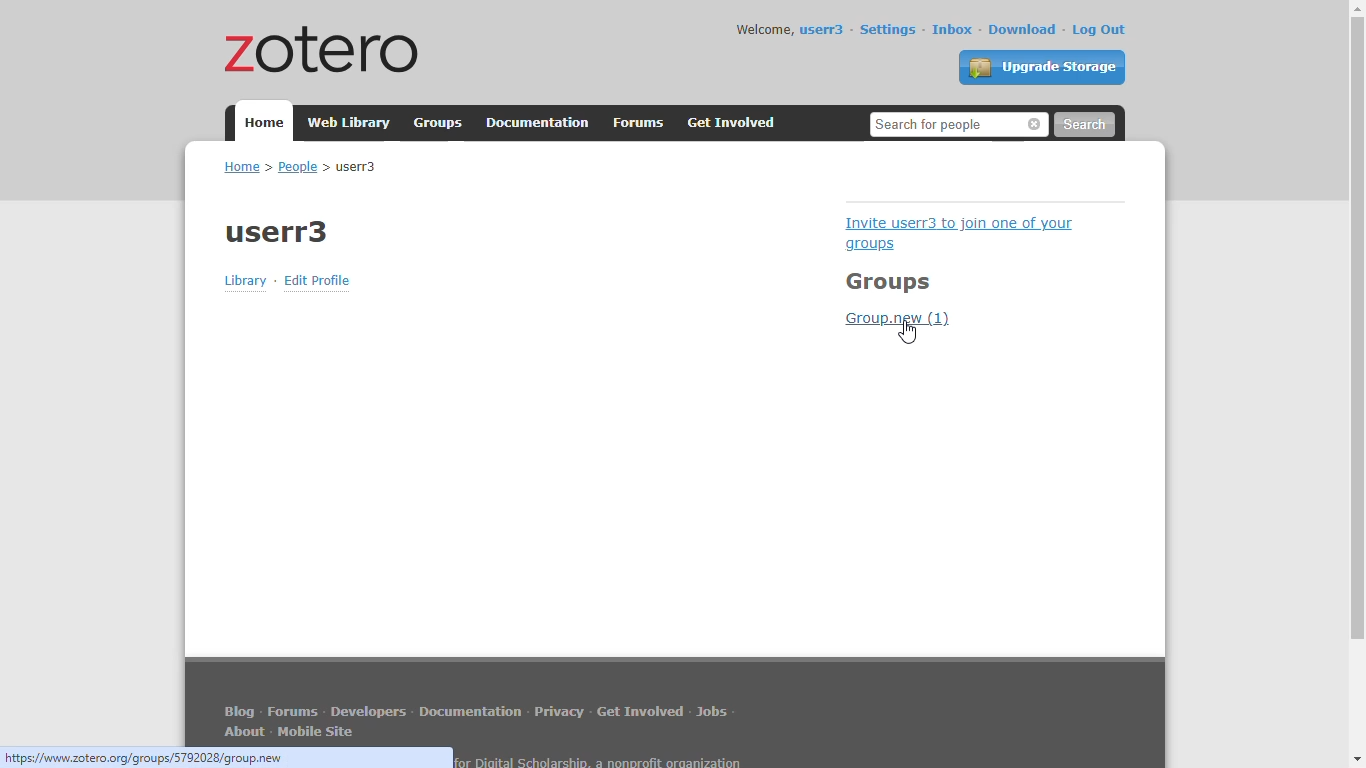 The height and width of the screenshot is (768, 1366). What do you see at coordinates (1043, 67) in the screenshot?
I see `upgrade storage` at bounding box center [1043, 67].